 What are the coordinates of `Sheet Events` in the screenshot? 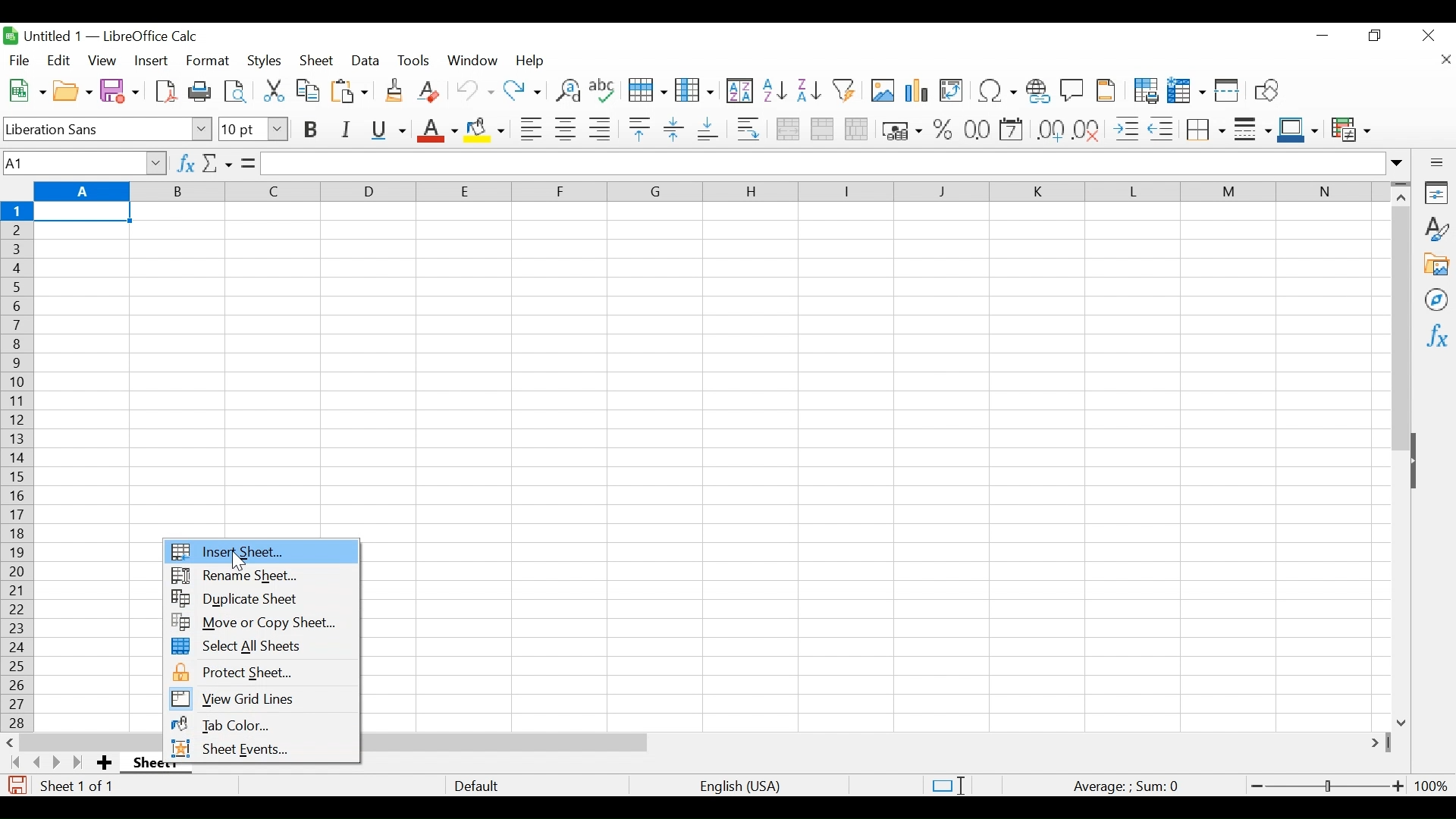 It's located at (262, 746).